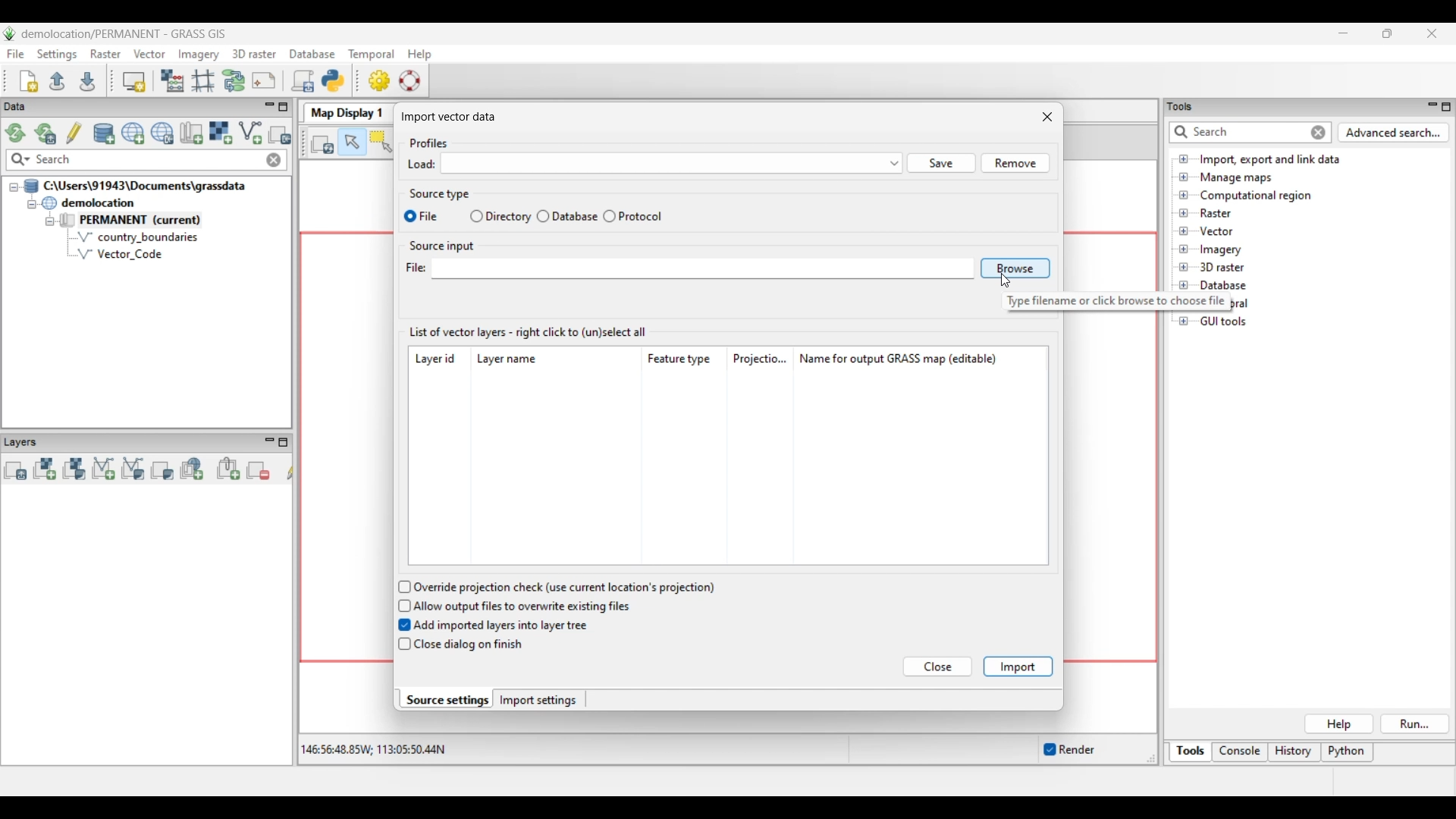  Describe the element at coordinates (1183, 249) in the screenshot. I see `Click to open files under Imagery` at that location.